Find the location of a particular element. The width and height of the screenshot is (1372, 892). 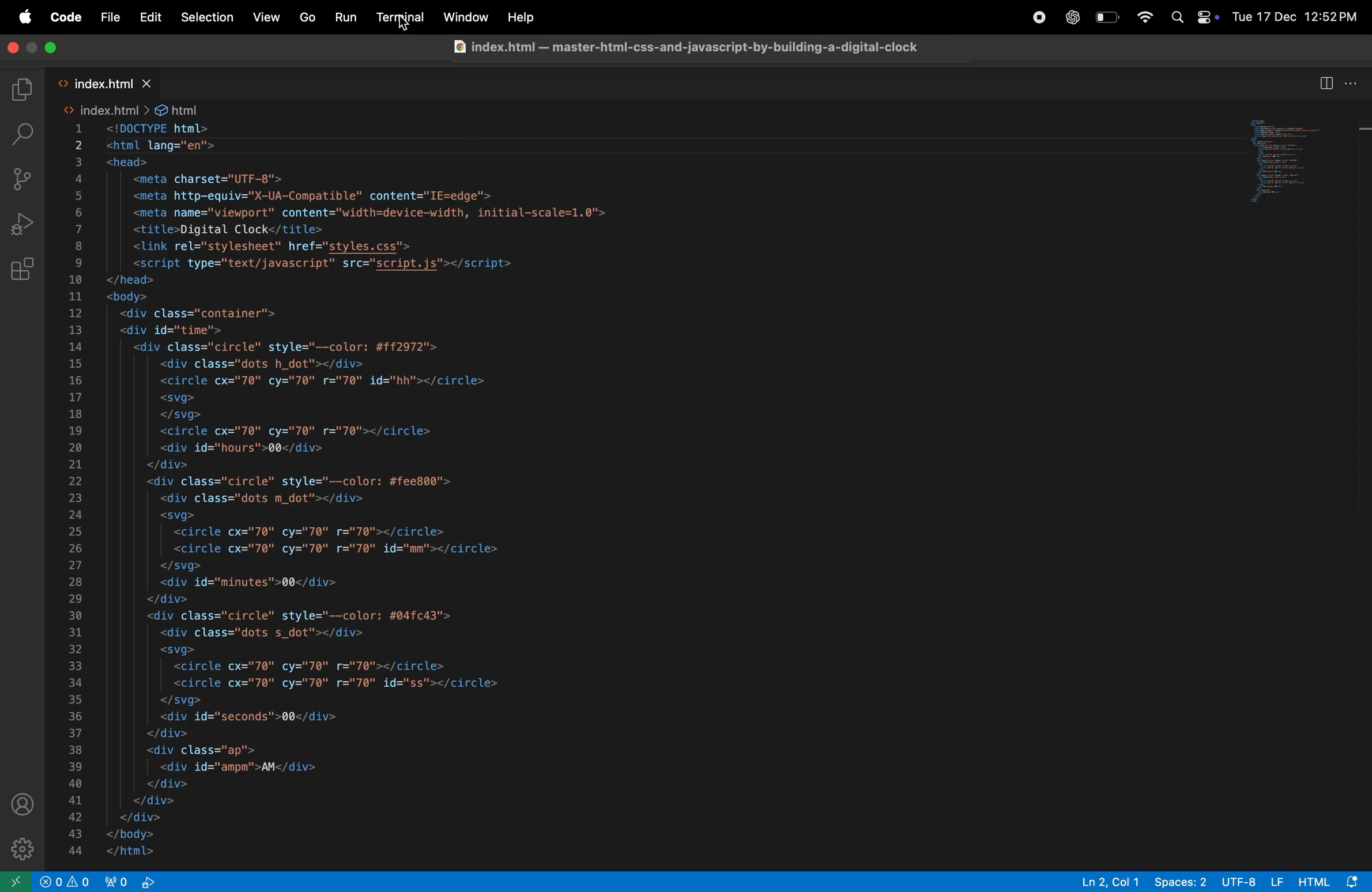

| index.html — master-html-css-and-javascript-by-building-a-digital-clock is located at coordinates (684, 45).